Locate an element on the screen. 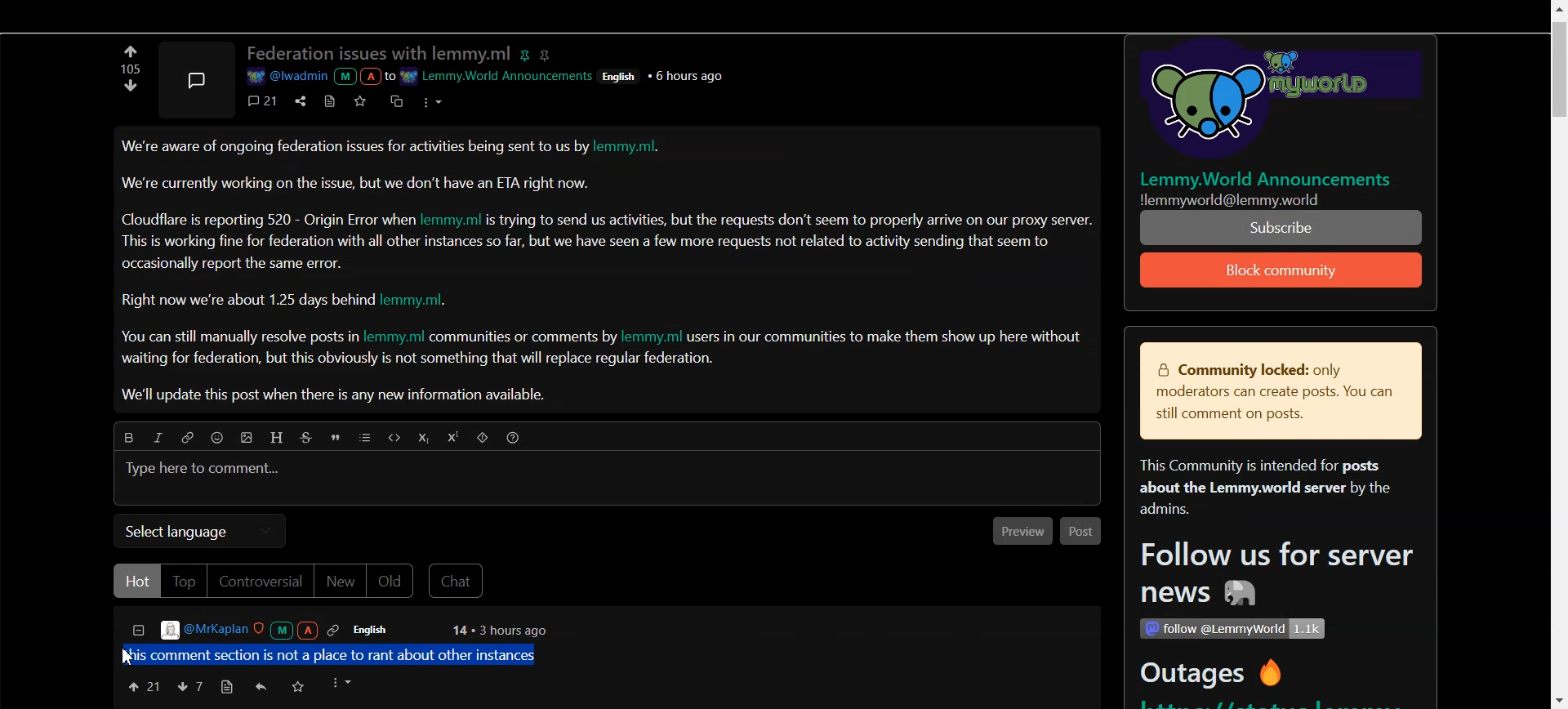 This screenshot has width=1568, height=709. 14 + 3 hours ago is located at coordinates (497, 631).